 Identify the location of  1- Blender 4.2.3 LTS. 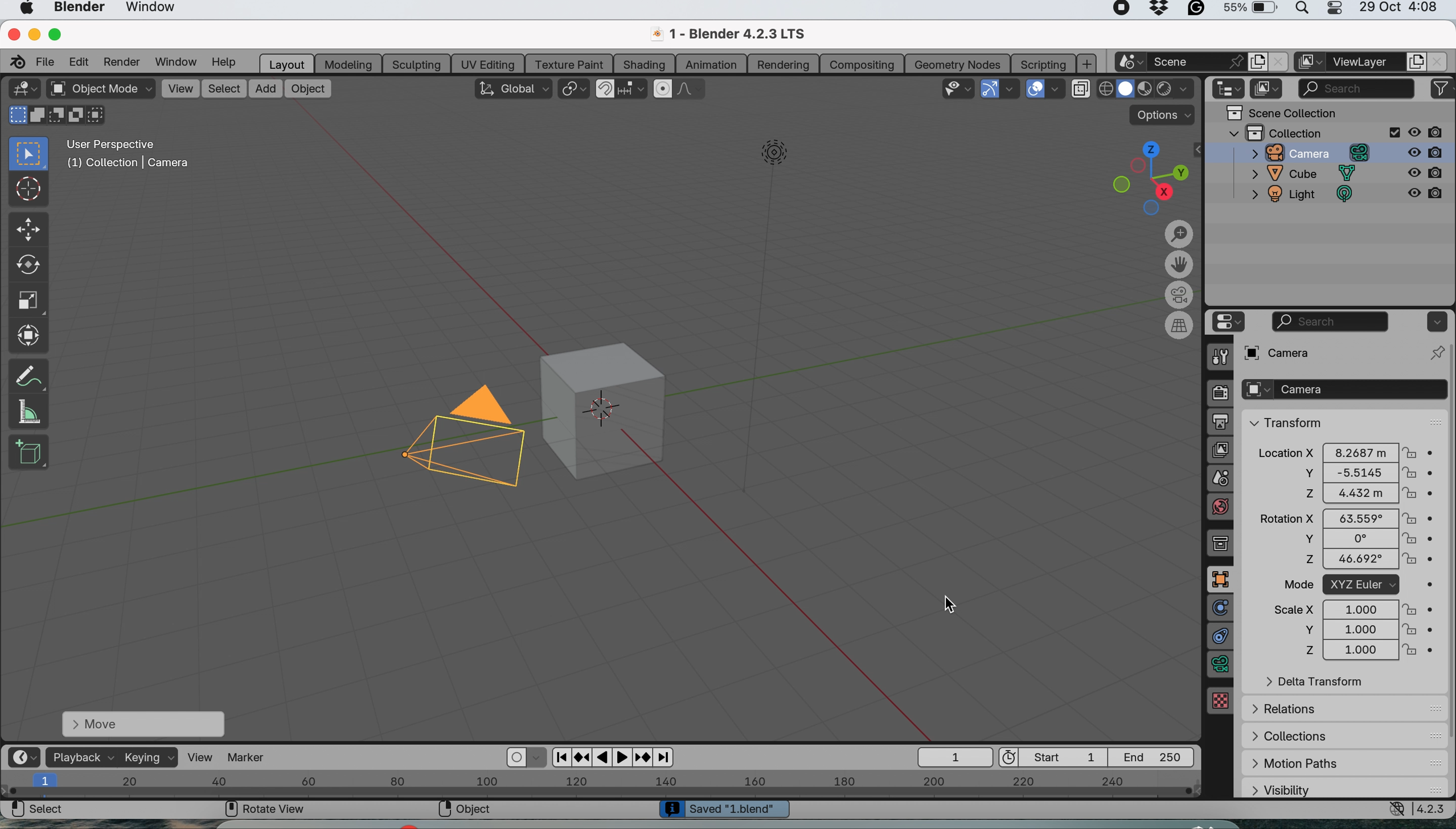
(739, 32).